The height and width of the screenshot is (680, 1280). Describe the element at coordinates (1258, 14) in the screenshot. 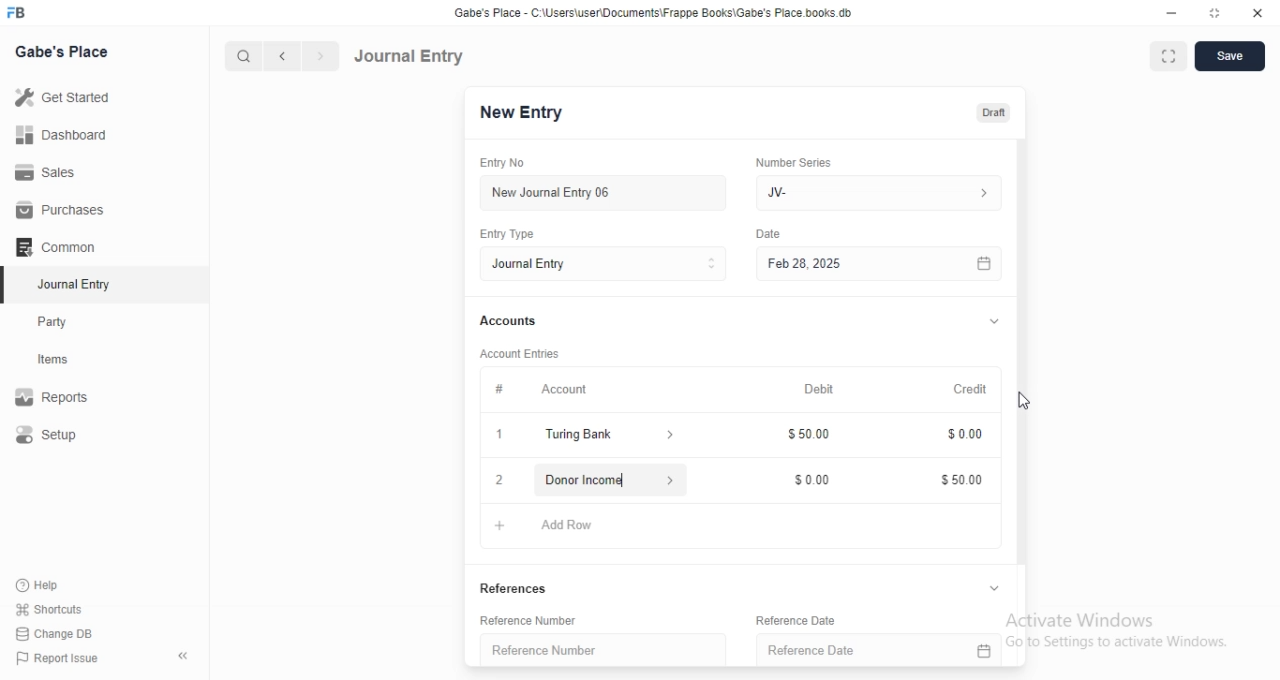

I see `close` at that location.